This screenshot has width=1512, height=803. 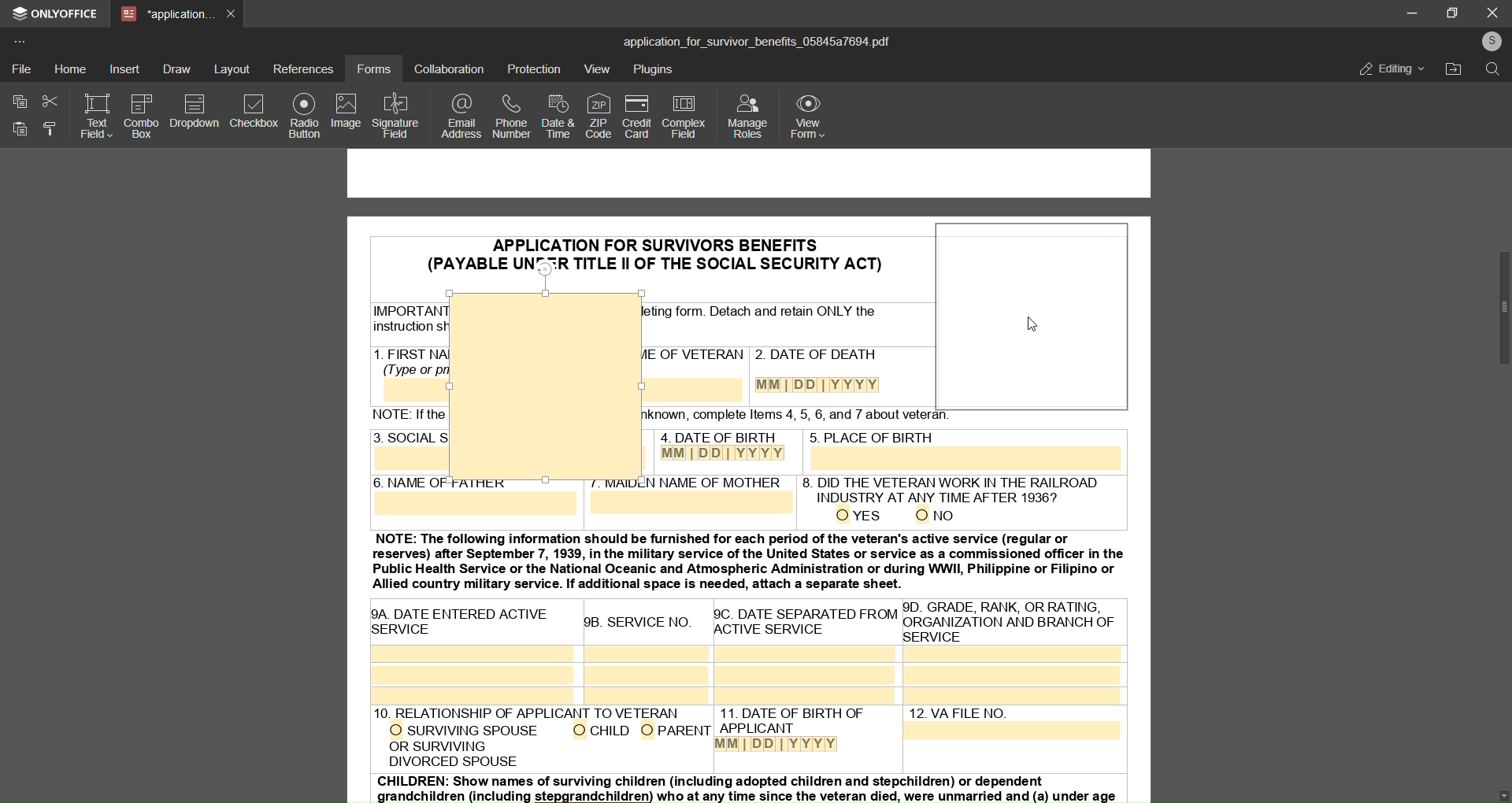 I want to click on maximize, so click(x=1455, y=12).